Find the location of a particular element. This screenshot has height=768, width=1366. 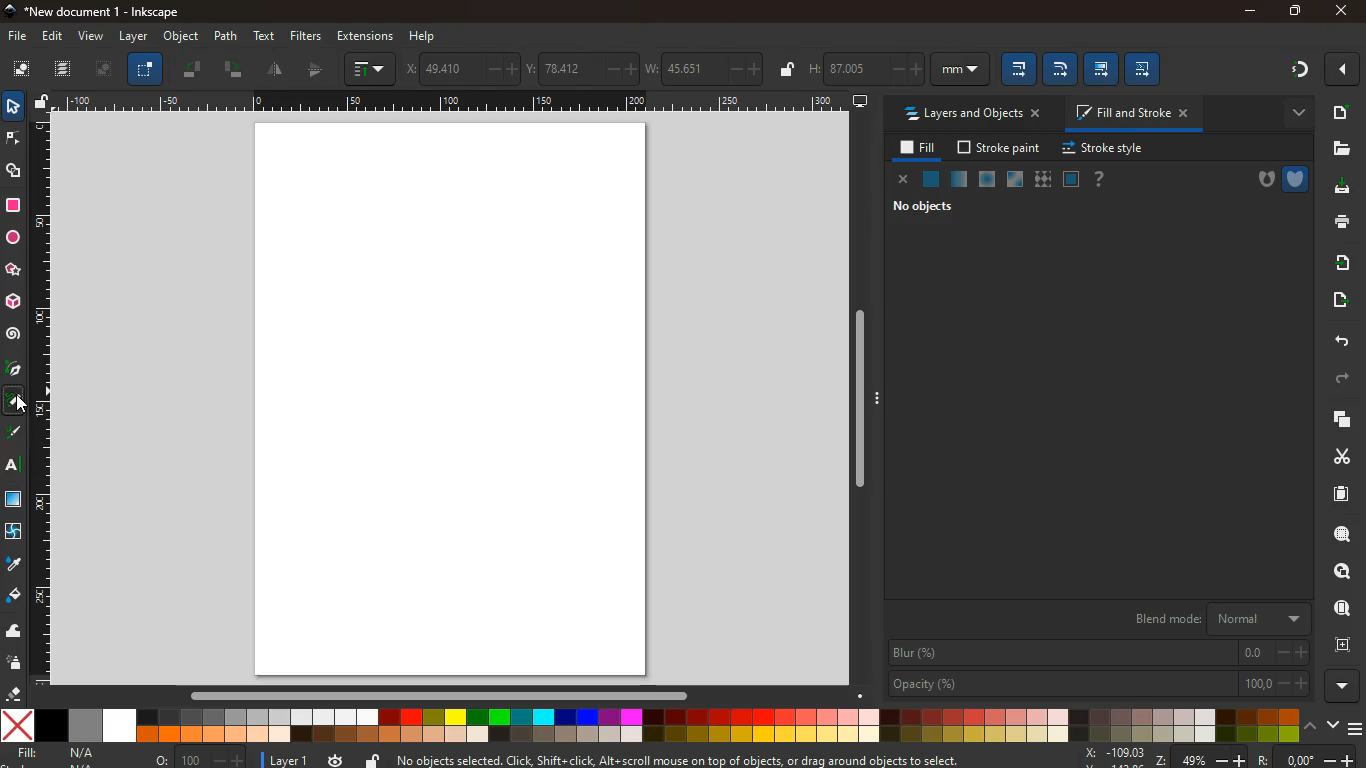

help is located at coordinates (1100, 180).